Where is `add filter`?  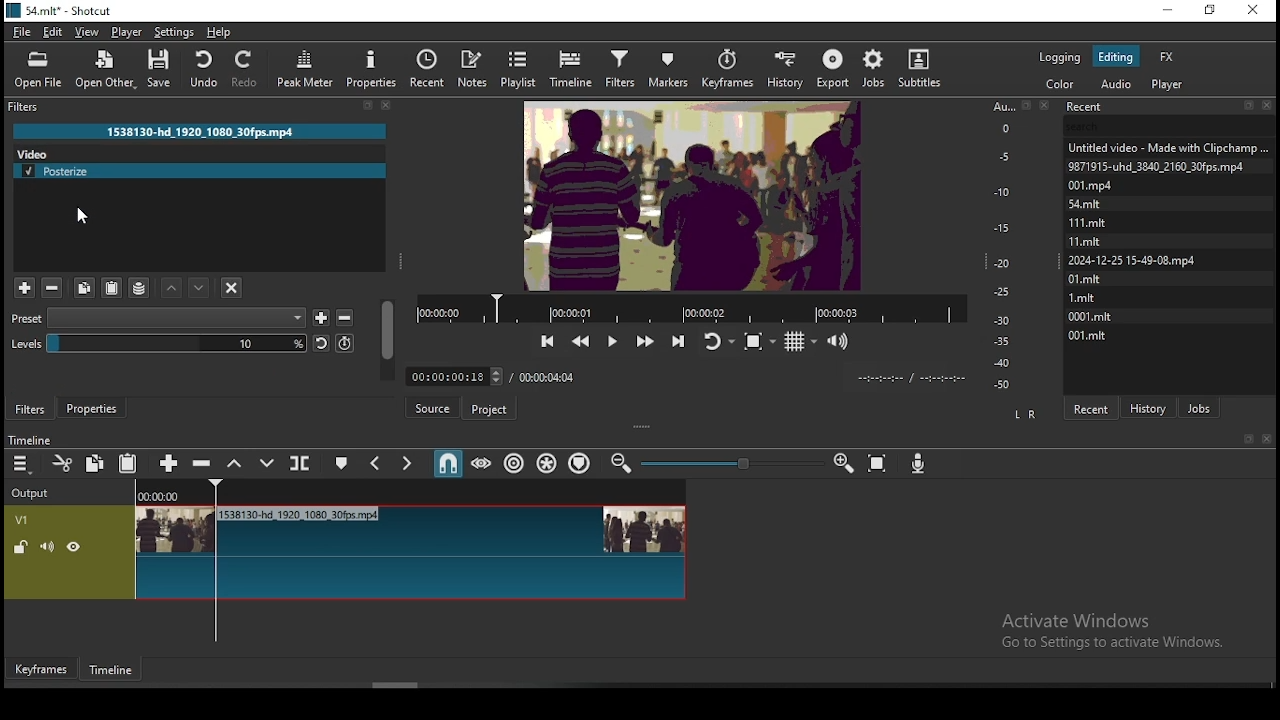
add filter is located at coordinates (24, 286).